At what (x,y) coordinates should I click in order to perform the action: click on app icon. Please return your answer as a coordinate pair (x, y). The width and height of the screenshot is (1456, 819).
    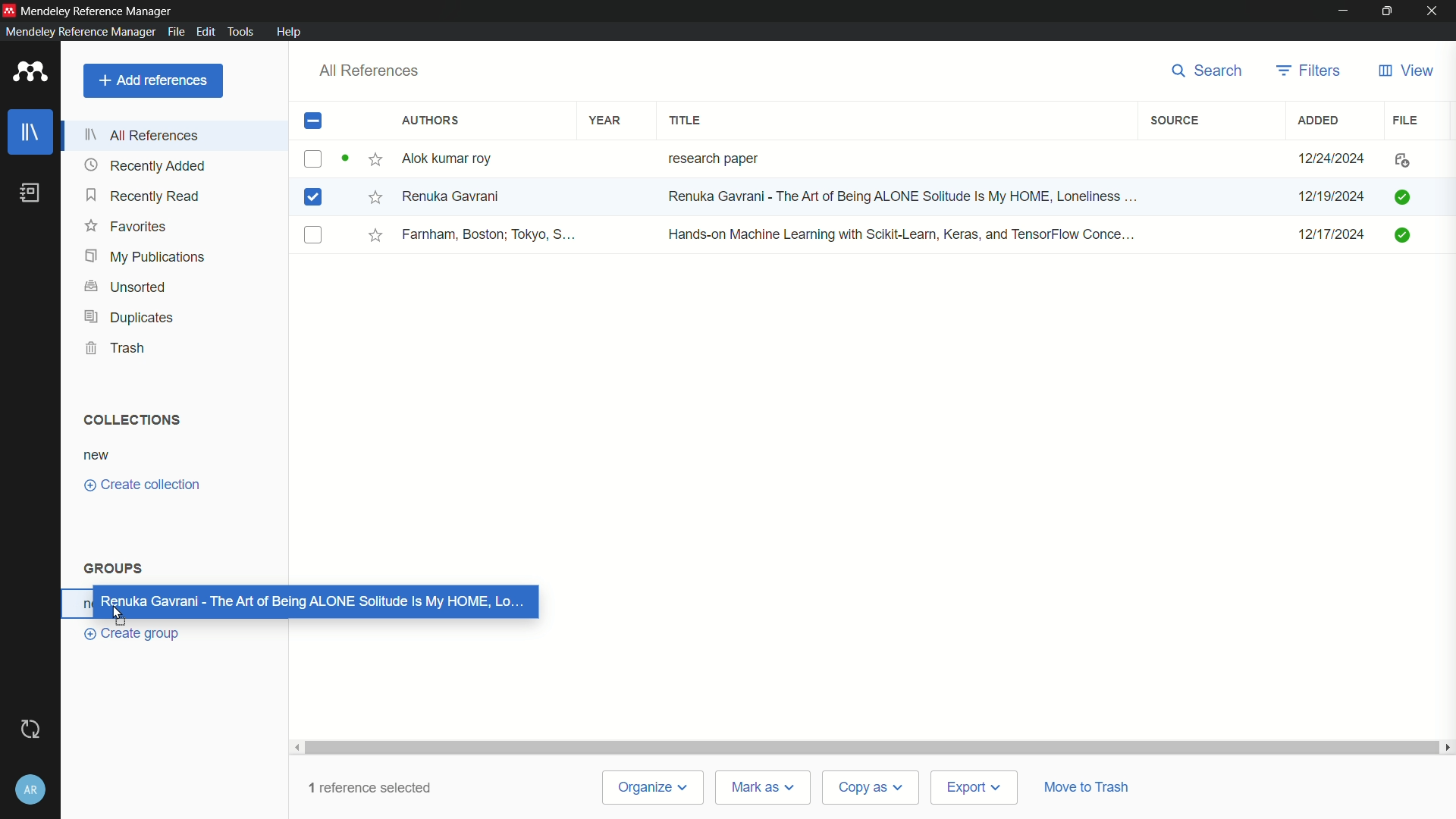
    Looking at the image, I should click on (27, 73).